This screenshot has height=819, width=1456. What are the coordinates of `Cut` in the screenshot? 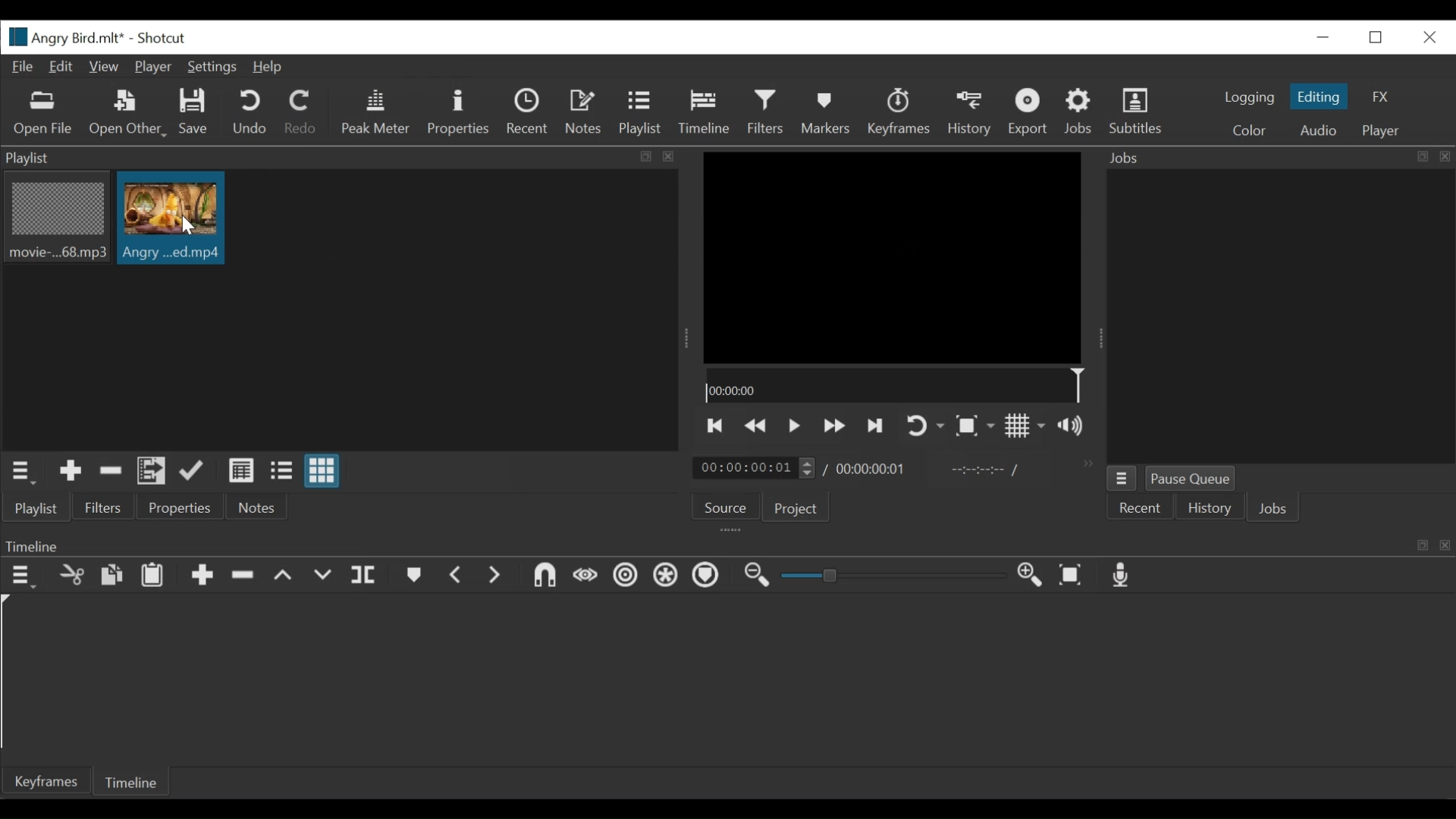 It's located at (71, 576).